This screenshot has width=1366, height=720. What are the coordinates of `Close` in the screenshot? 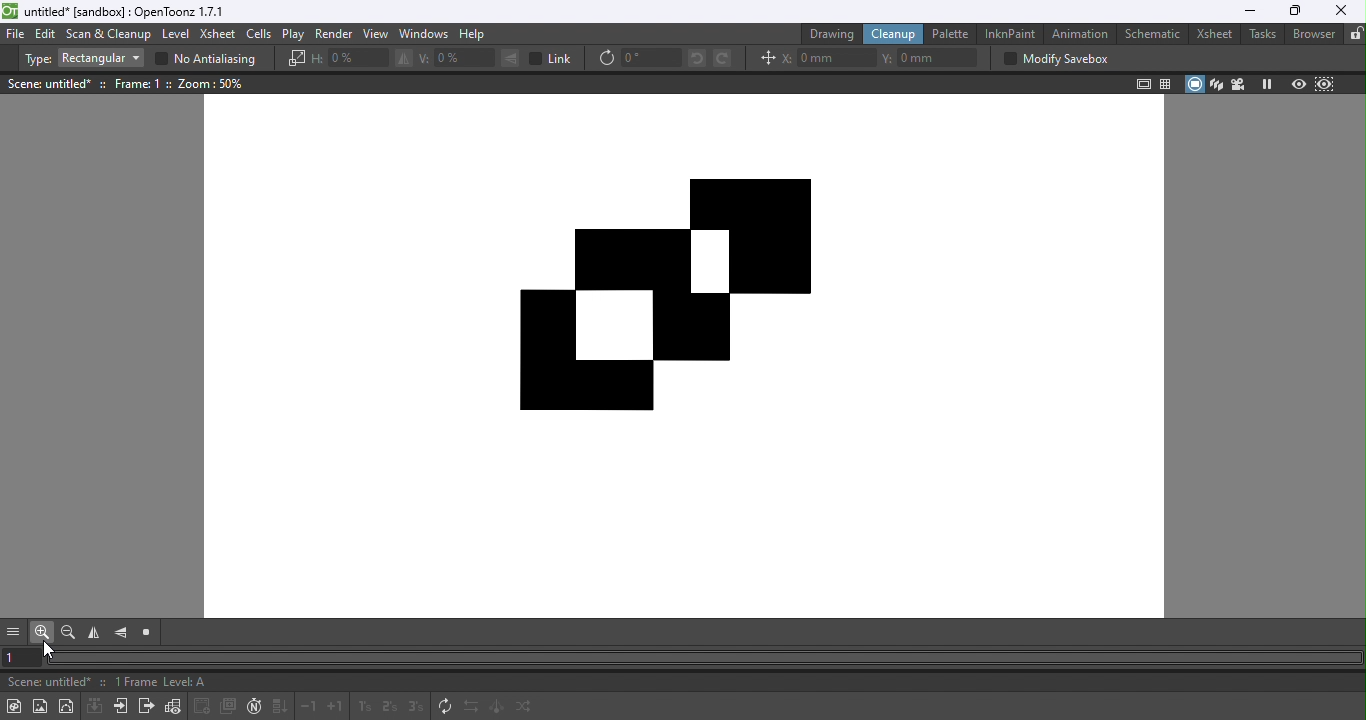 It's located at (1341, 11).